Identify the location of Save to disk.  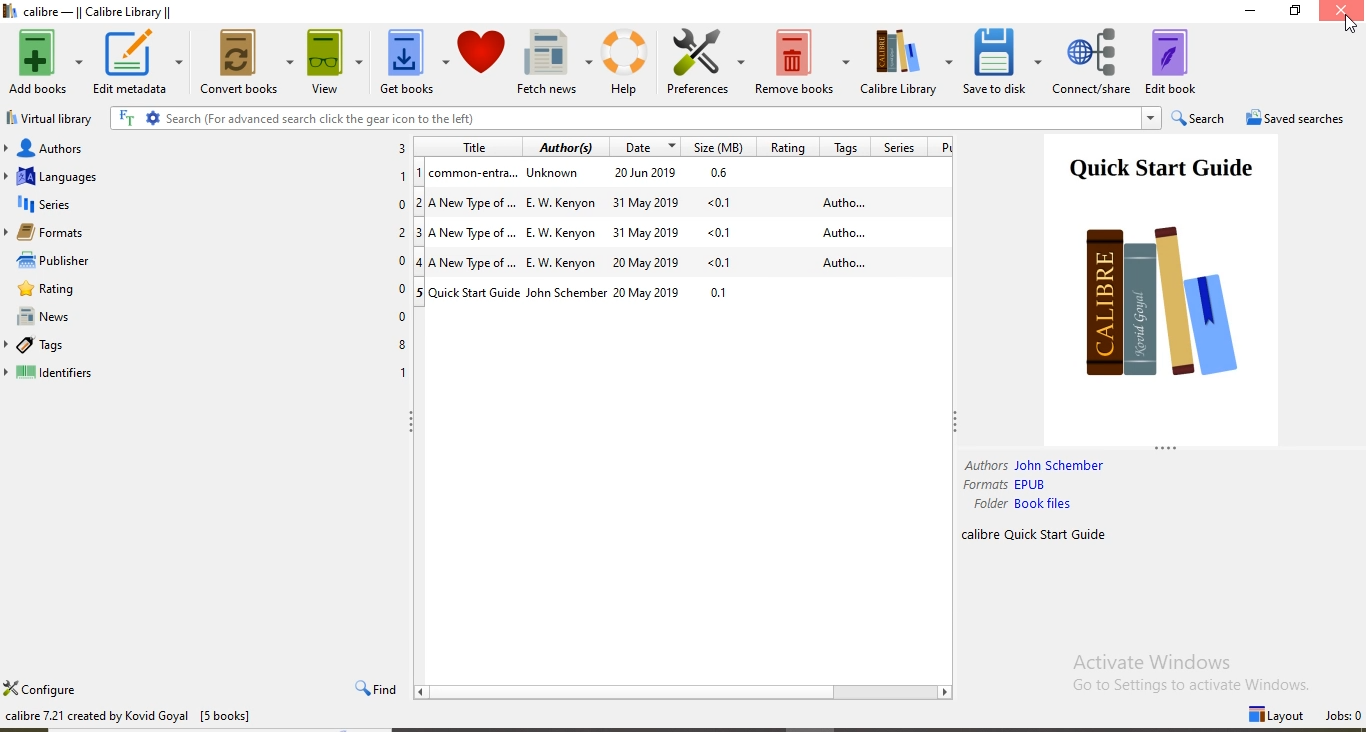
(1003, 62).